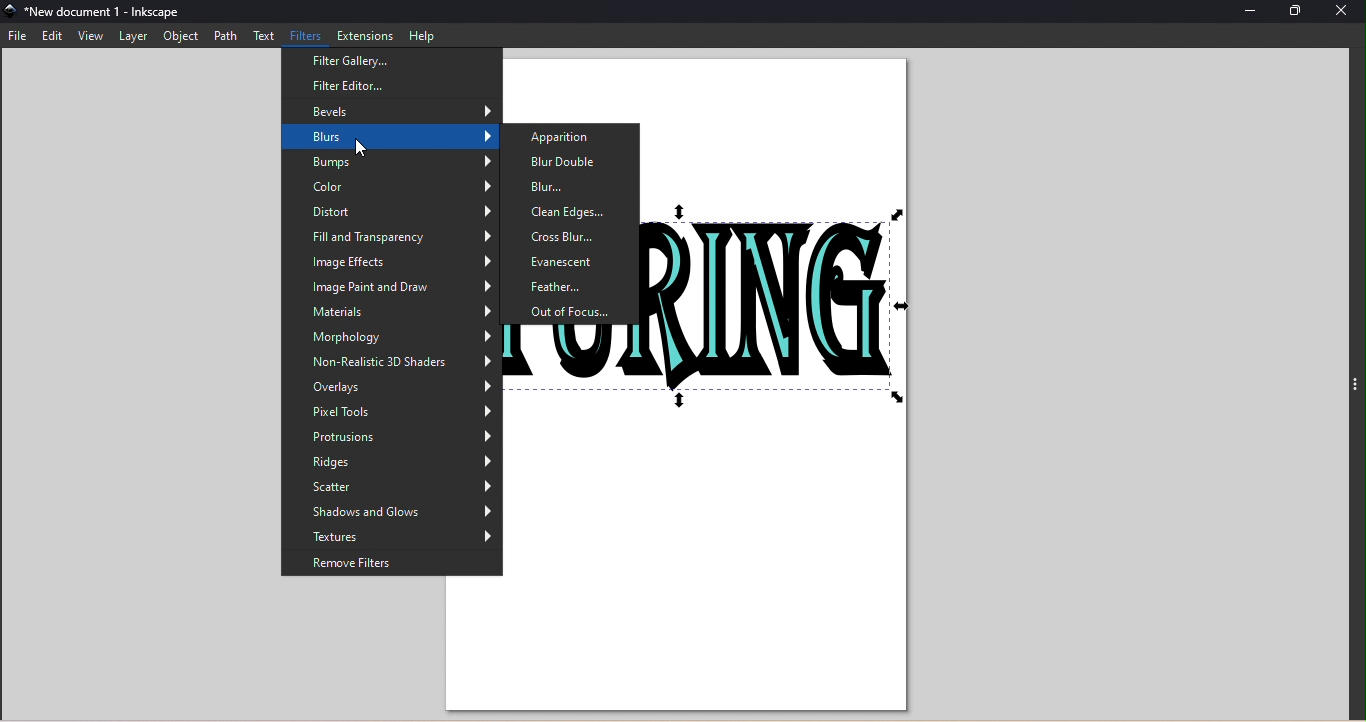 This screenshot has height=722, width=1366. What do you see at coordinates (135, 37) in the screenshot?
I see `Layer` at bounding box center [135, 37].